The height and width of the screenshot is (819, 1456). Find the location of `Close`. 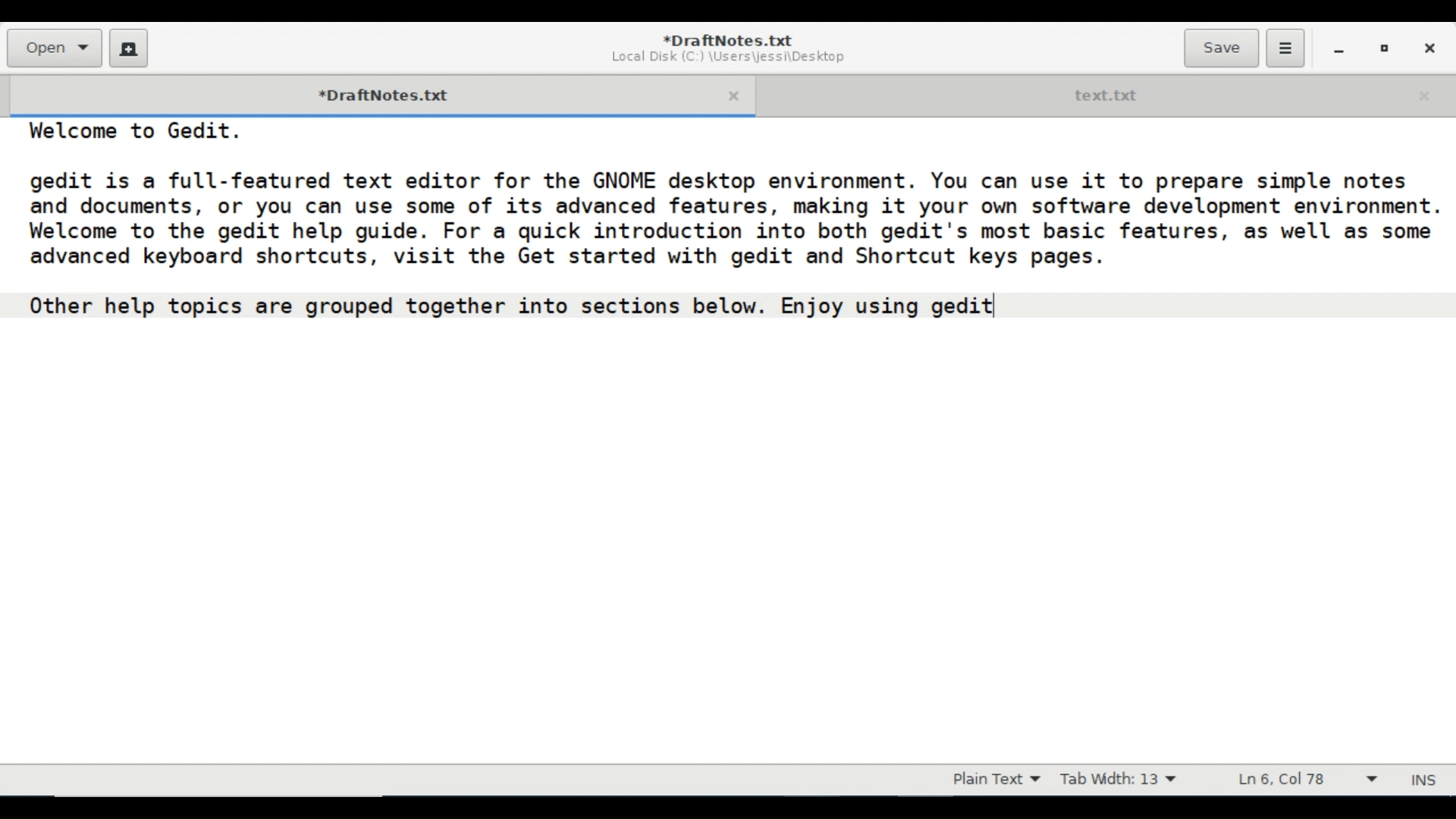

Close is located at coordinates (1428, 46).